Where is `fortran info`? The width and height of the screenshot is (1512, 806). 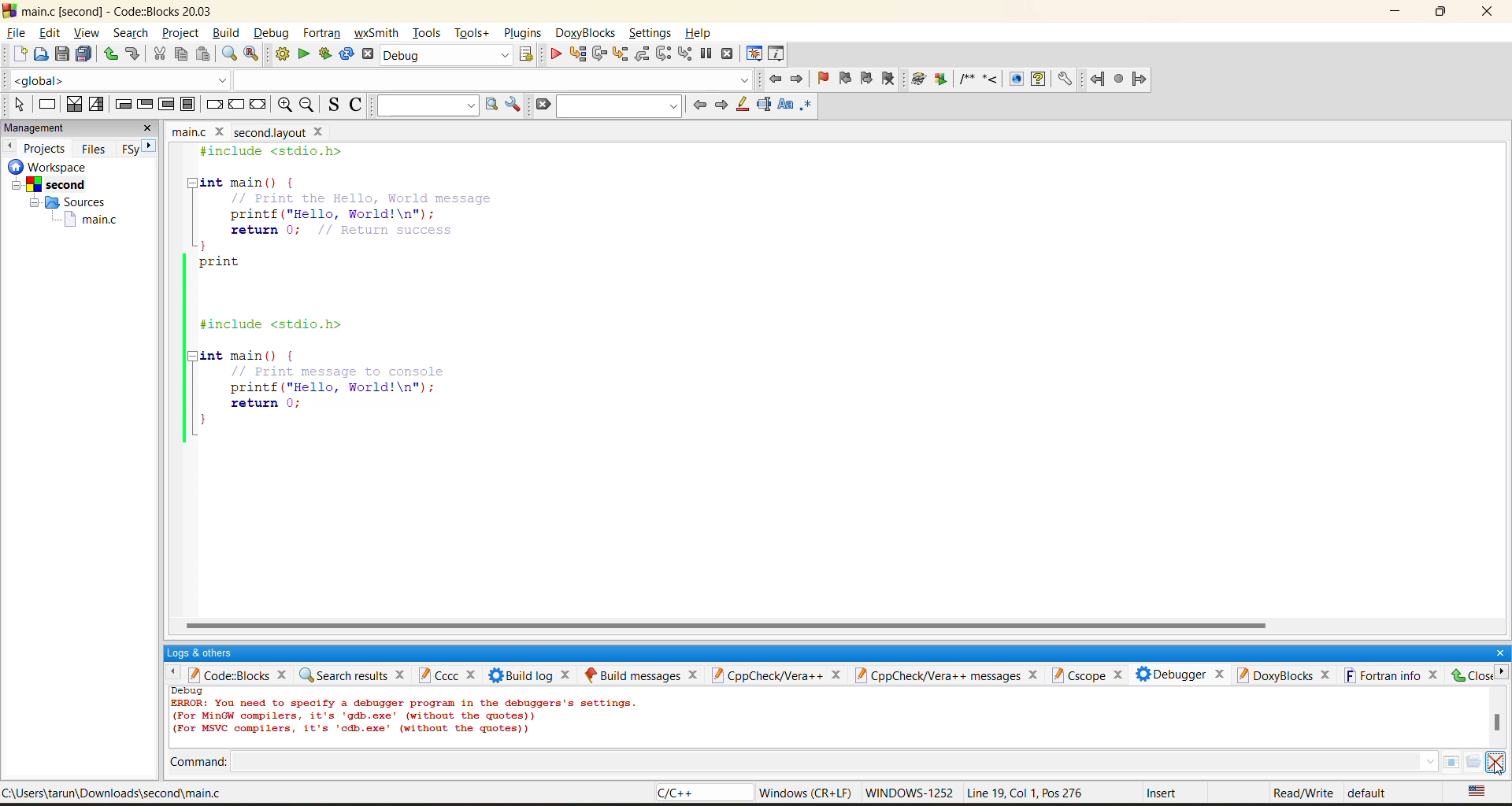
fortran info is located at coordinates (1390, 675).